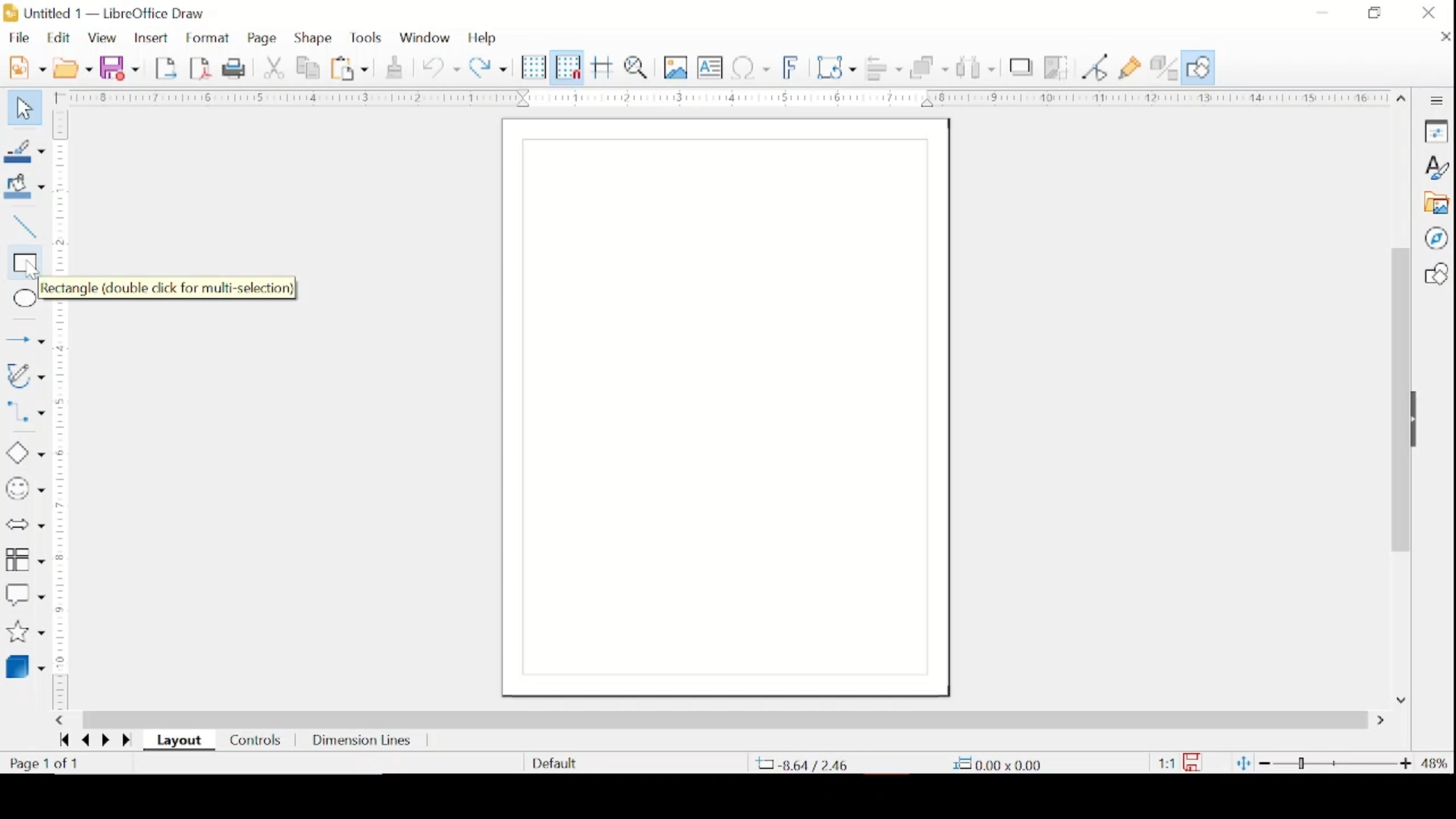 The image size is (1456, 819). Describe the element at coordinates (719, 97) in the screenshot. I see `margin` at that location.